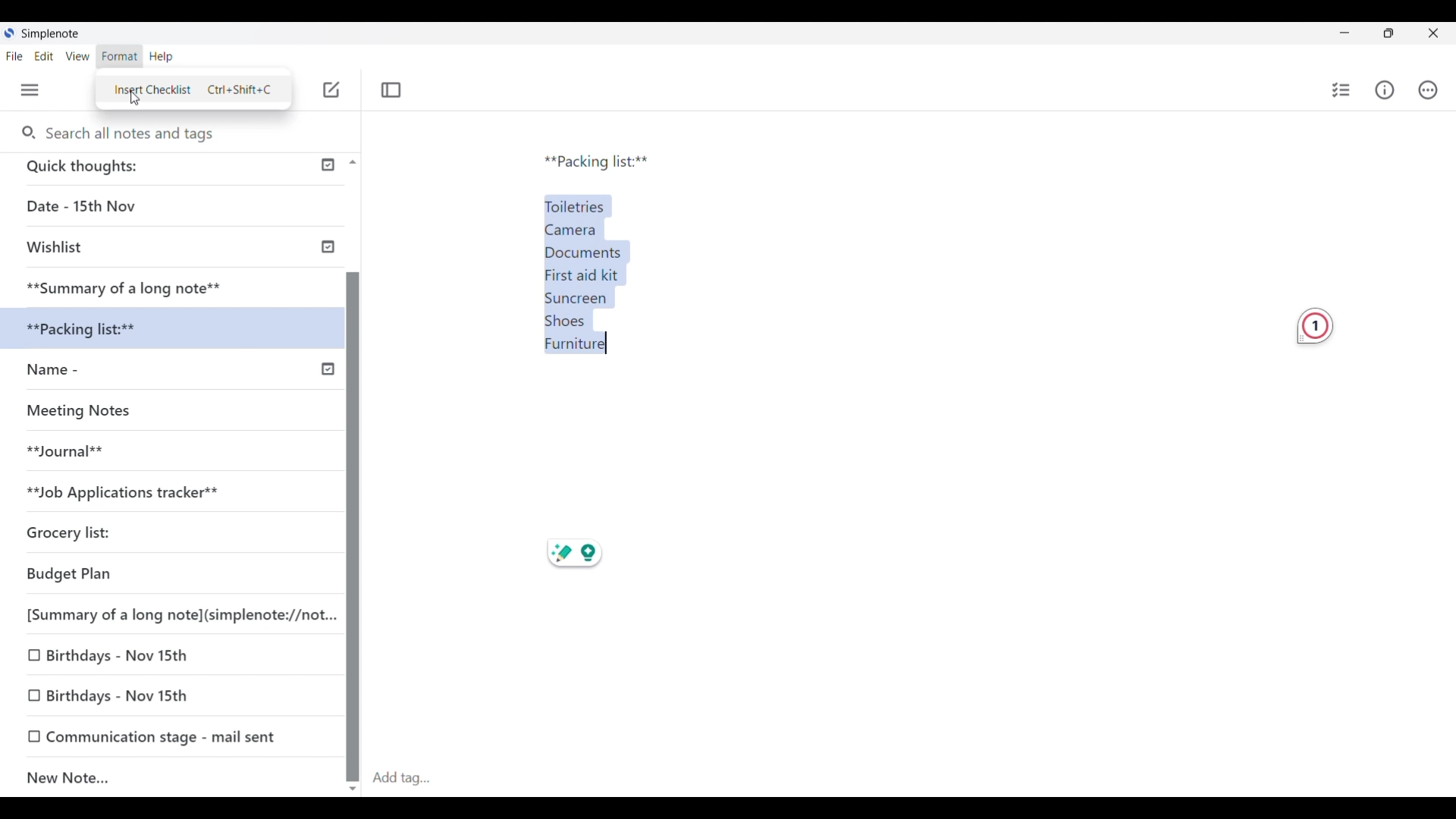  Describe the element at coordinates (143, 168) in the screenshot. I see `Quick thoughts` at that location.